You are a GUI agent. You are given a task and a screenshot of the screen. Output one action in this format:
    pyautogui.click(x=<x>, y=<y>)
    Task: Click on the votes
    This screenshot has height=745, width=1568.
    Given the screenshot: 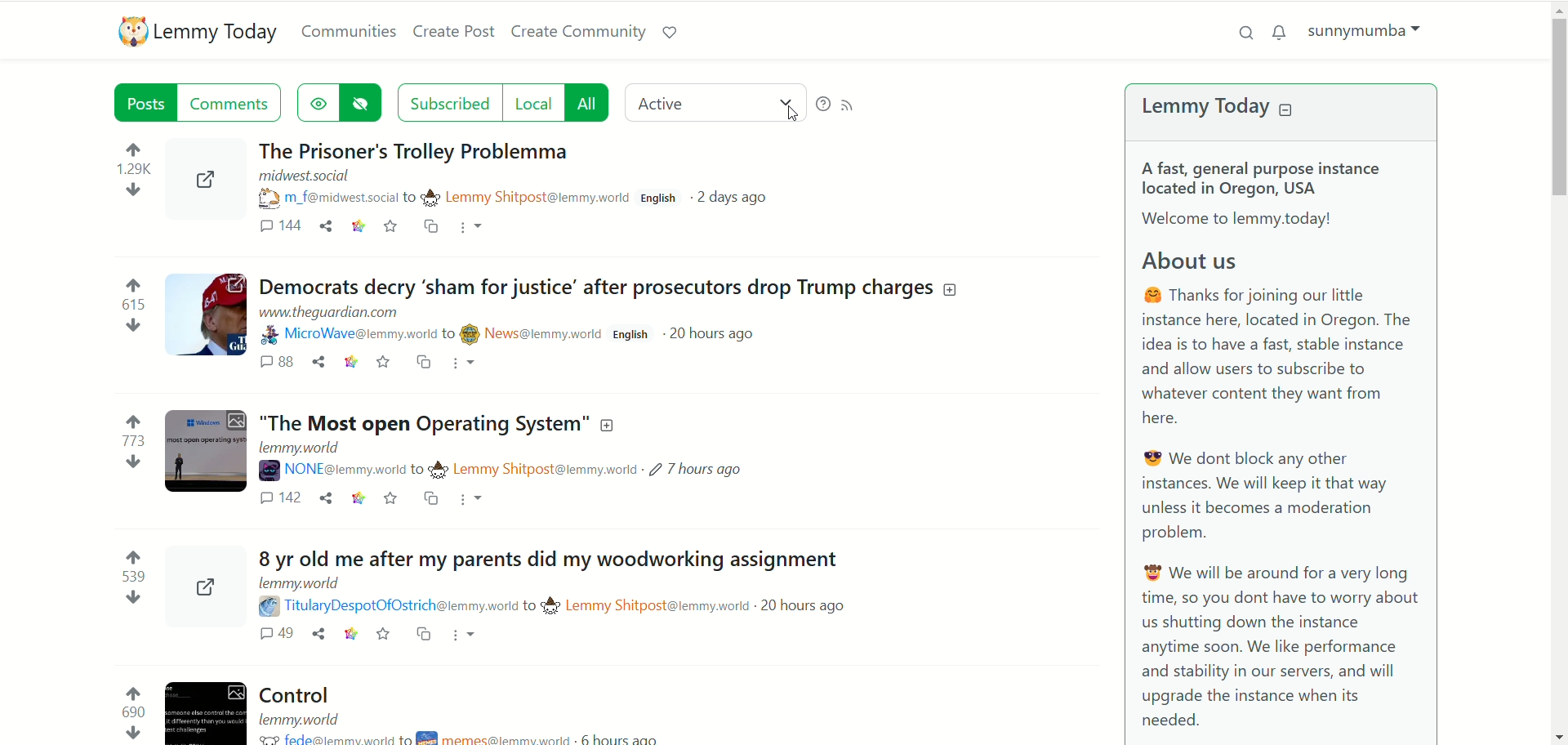 What is the action you would take?
    pyautogui.click(x=136, y=175)
    